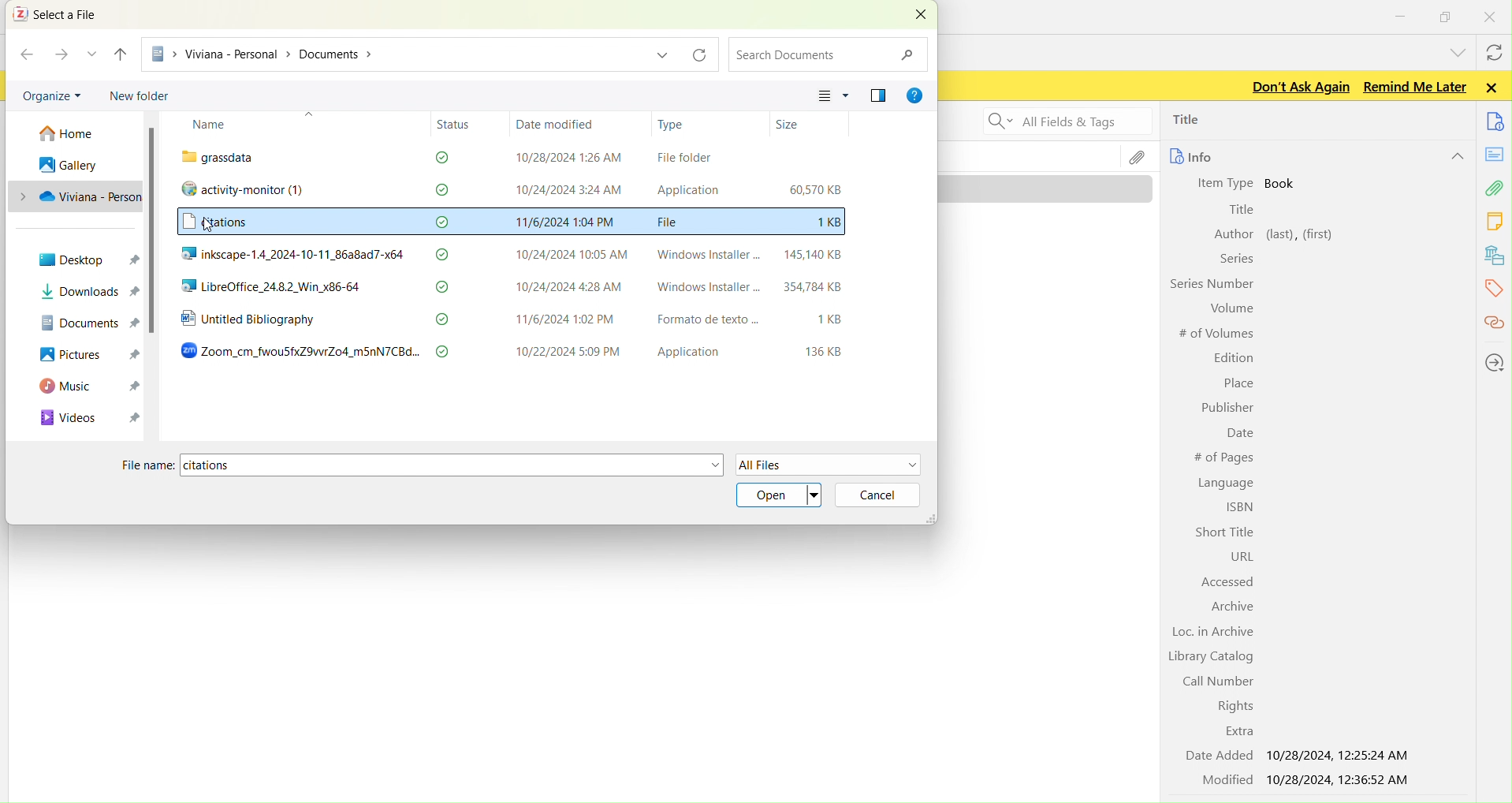 Image resolution: width=1512 pixels, height=803 pixels. What do you see at coordinates (1447, 14) in the screenshot?
I see `windows` at bounding box center [1447, 14].